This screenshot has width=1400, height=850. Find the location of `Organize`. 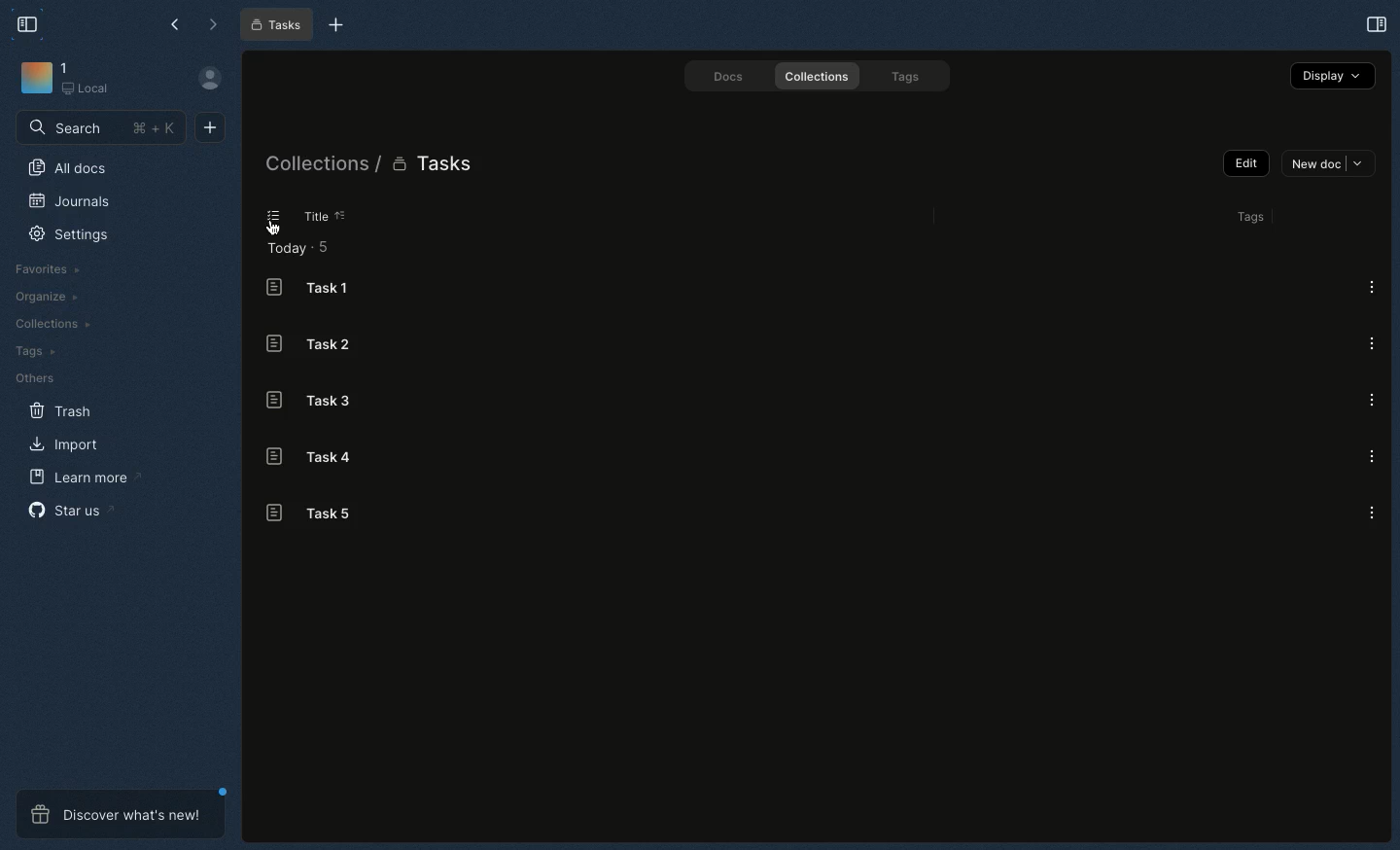

Organize is located at coordinates (46, 300).